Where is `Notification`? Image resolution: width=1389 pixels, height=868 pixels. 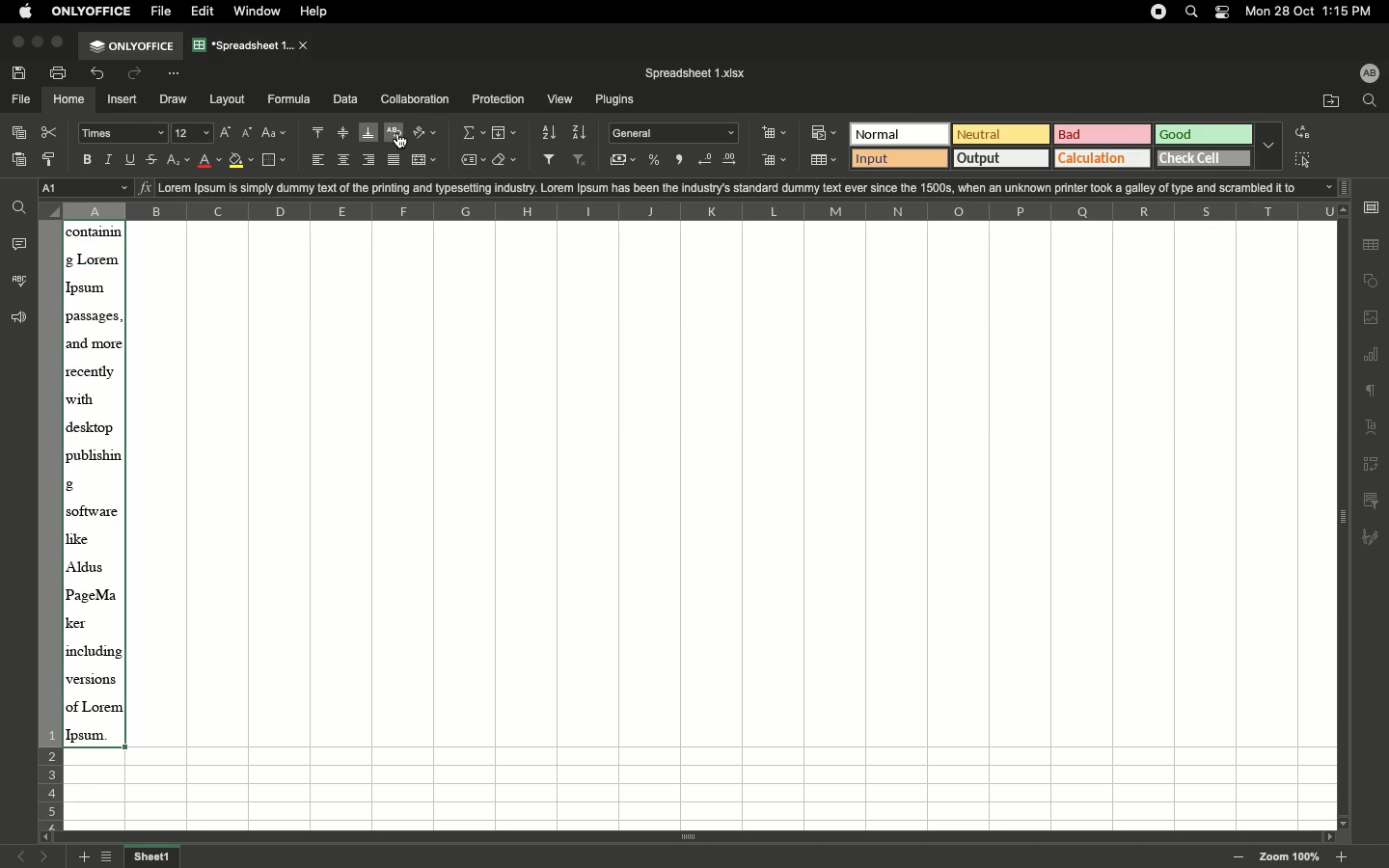 Notification is located at coordinates (1223, 14).